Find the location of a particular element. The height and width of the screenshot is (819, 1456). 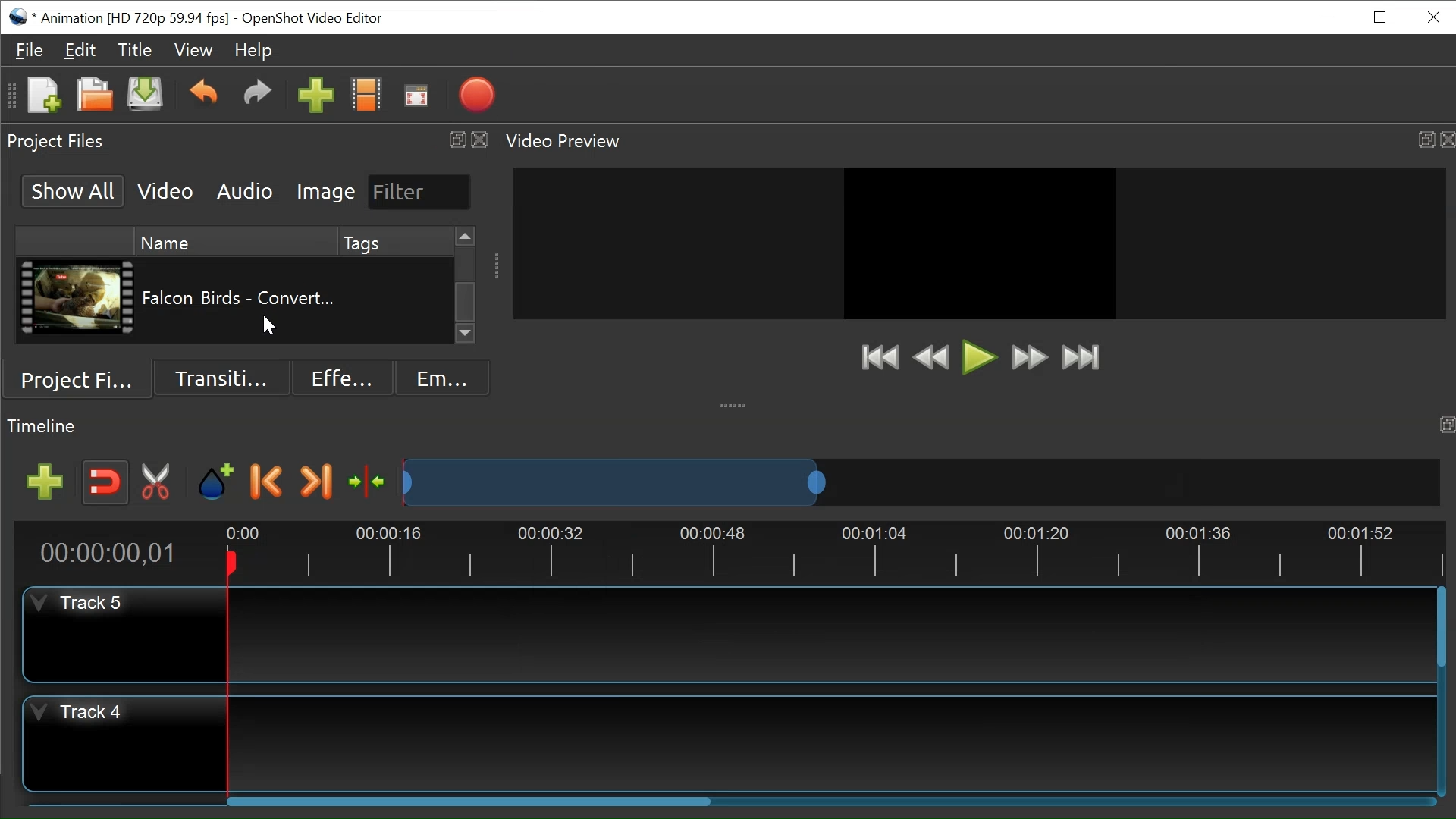

Open Project is located at coordinates (95, 96).